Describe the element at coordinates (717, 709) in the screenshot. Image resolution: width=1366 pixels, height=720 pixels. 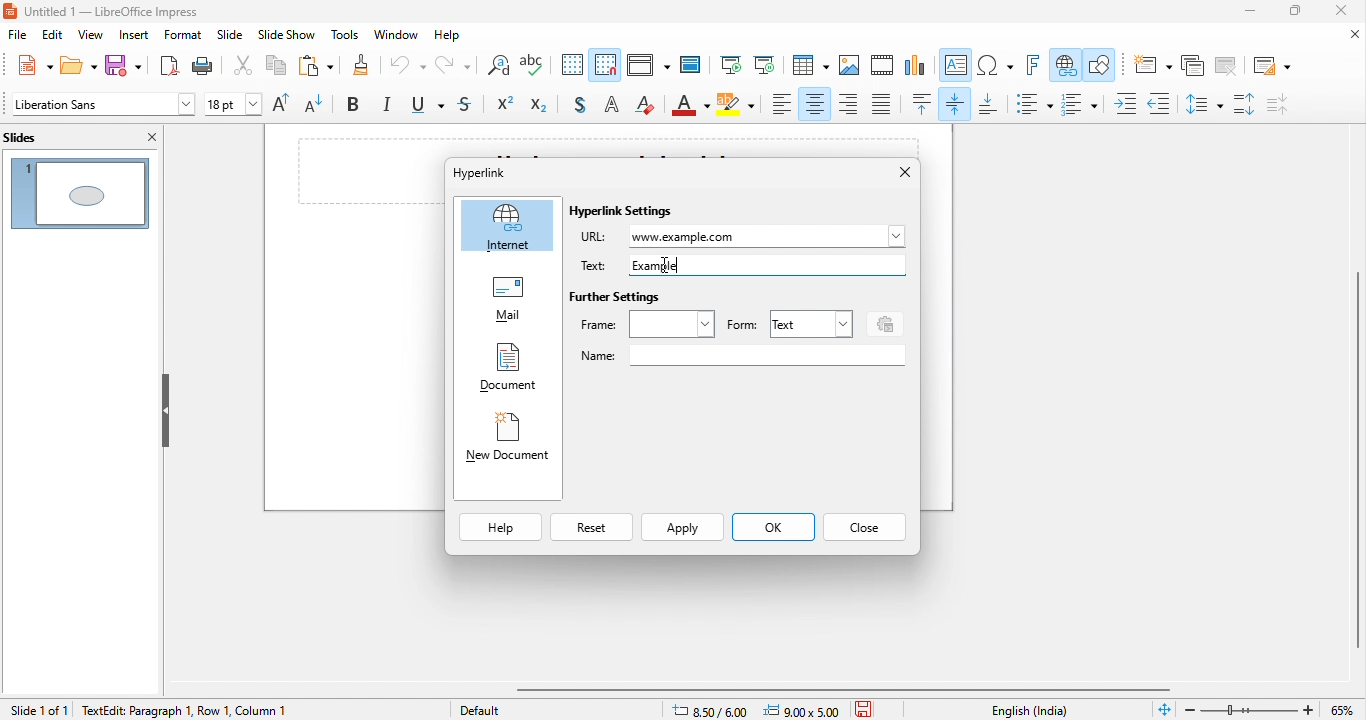
I see `8.50/6.00` at that location.